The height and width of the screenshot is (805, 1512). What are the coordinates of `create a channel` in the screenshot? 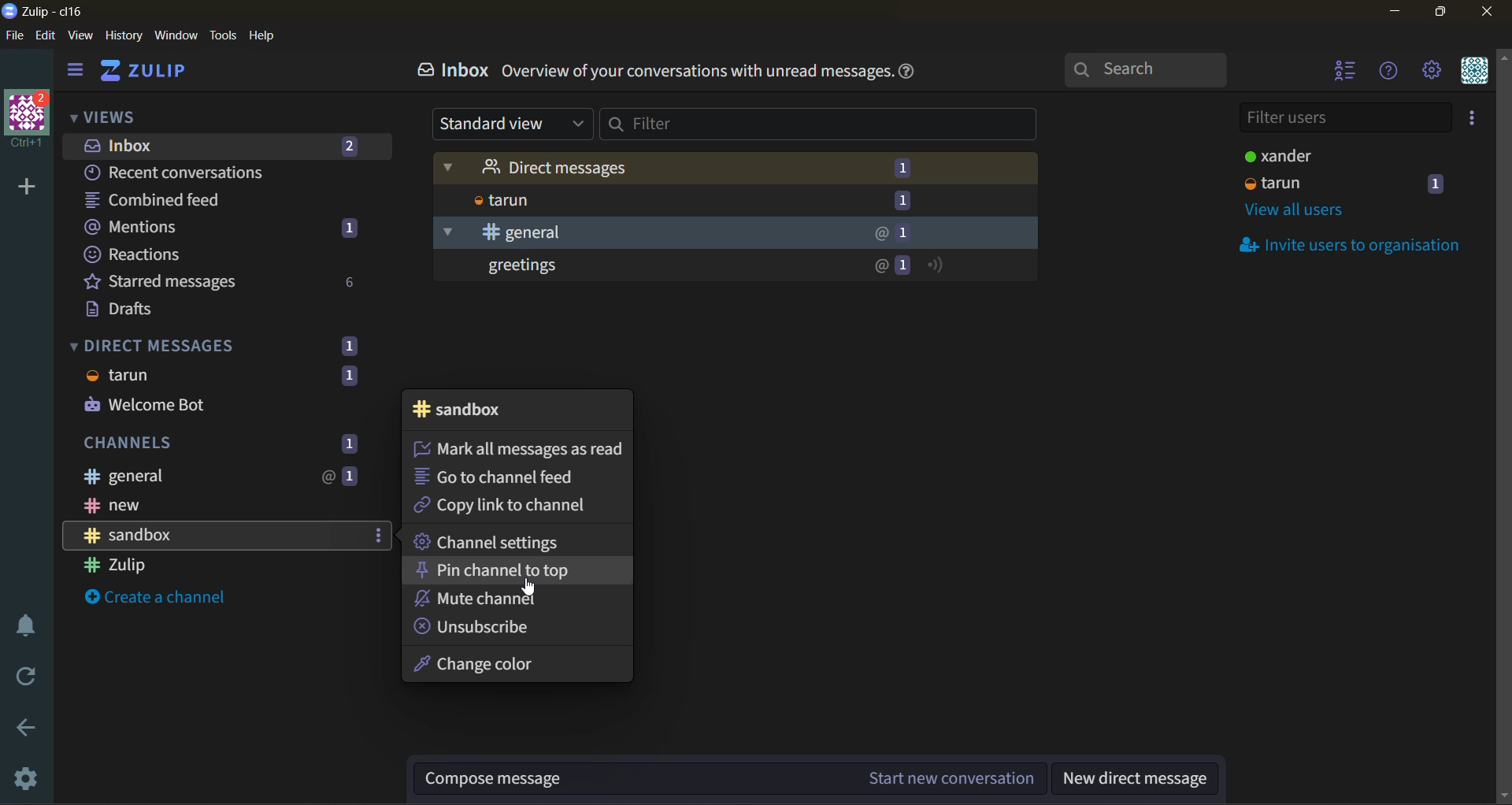 It's located at (155, 600).